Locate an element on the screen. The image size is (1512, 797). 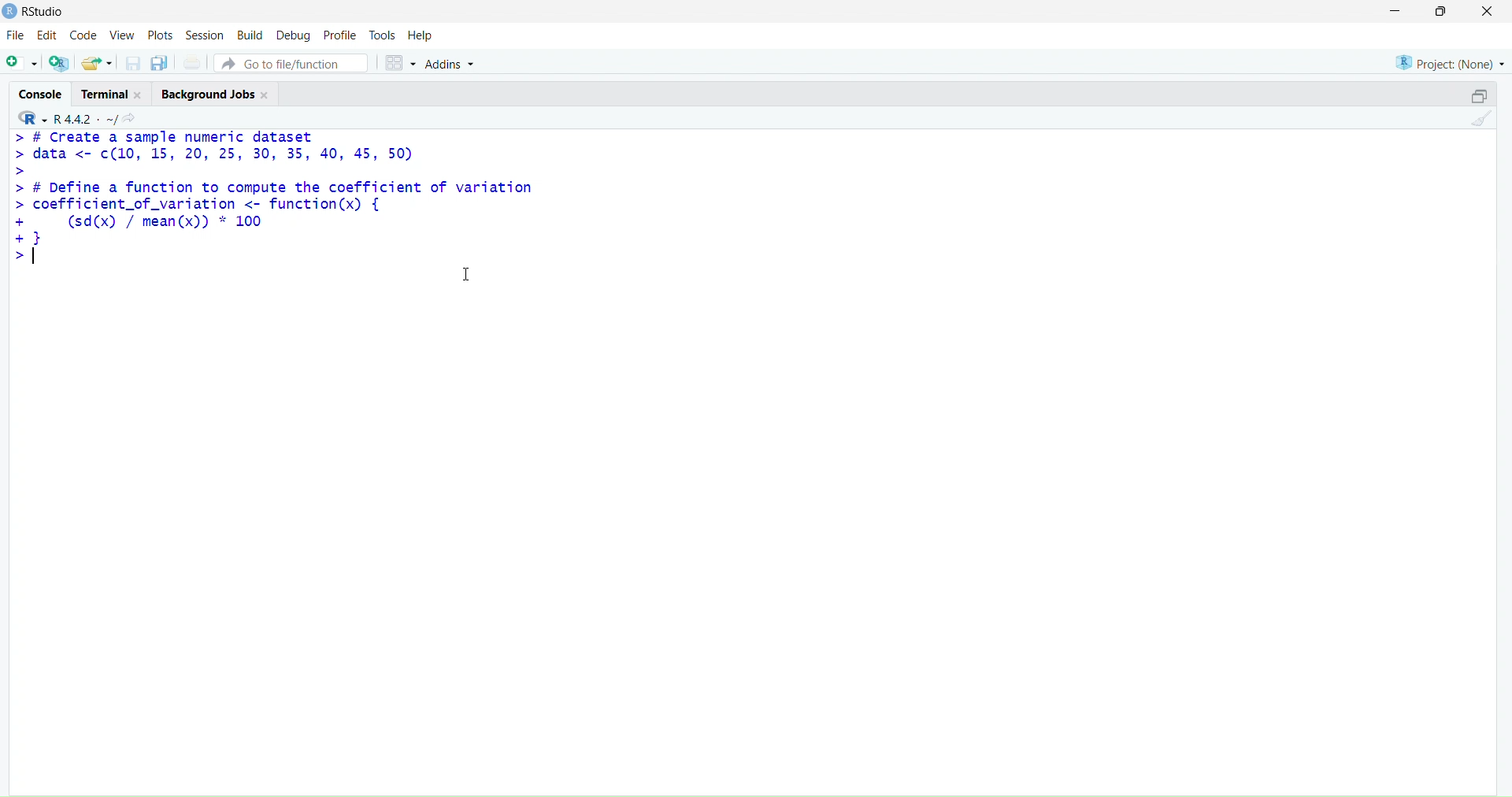
file is located at coordinates (14, 35).